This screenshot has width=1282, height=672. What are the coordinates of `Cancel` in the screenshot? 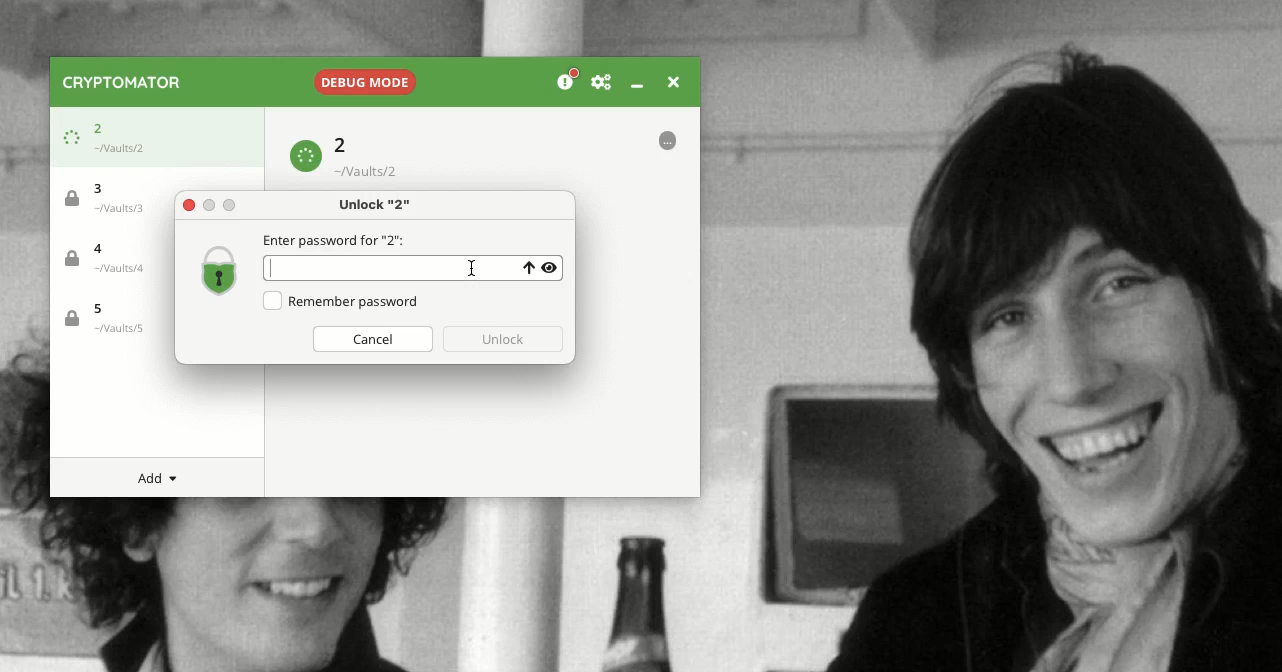 It's located at (371, 340).